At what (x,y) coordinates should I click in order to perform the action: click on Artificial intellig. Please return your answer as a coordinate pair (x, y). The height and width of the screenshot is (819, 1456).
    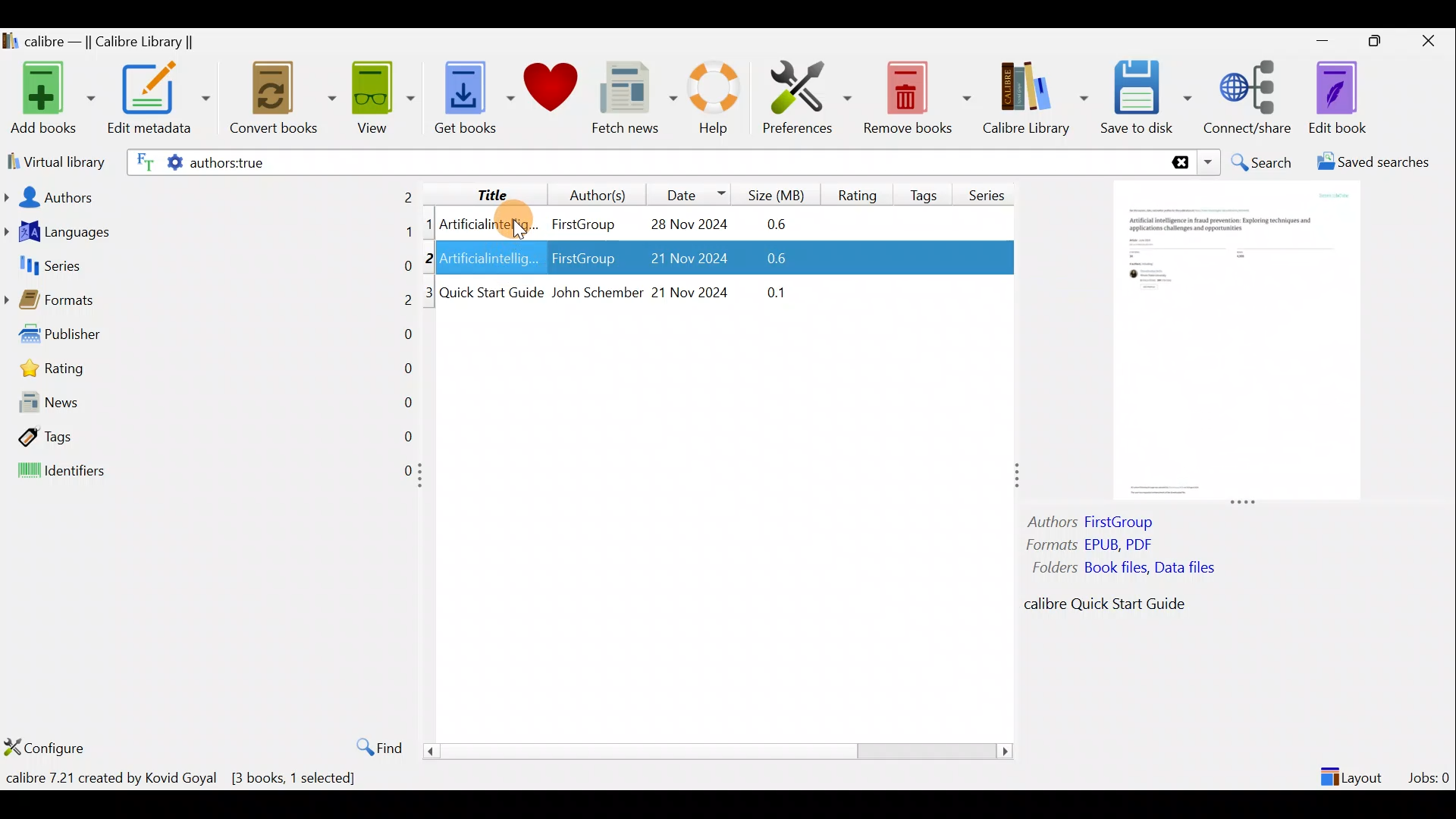
    Looking at the image, I should click on (491, 260).